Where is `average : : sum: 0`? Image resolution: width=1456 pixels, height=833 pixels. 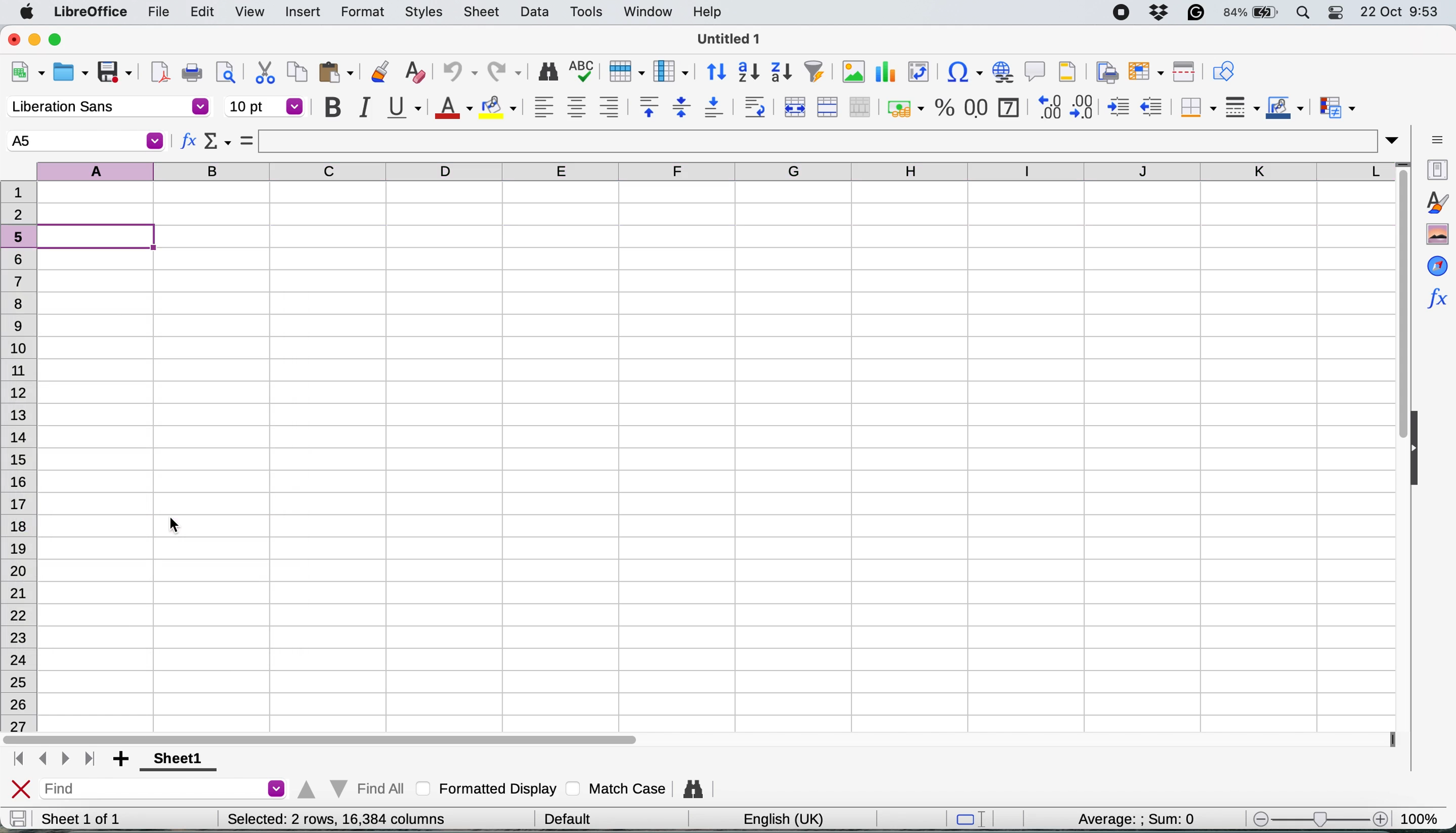
average : : sum: 0 is located at coordinates (1121, 817).